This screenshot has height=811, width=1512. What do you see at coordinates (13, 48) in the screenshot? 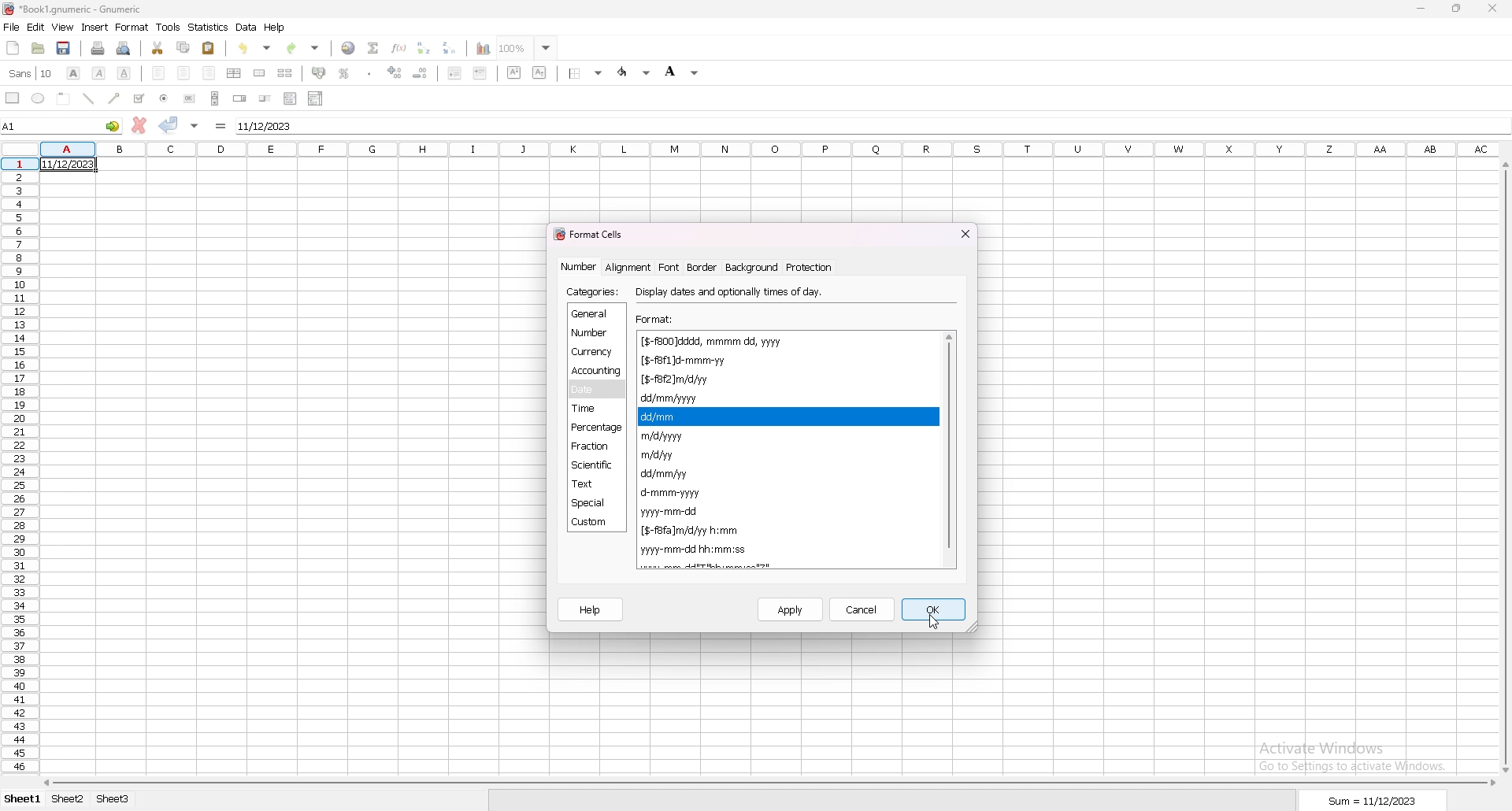
I see `new` at bounding box center [13, 48].